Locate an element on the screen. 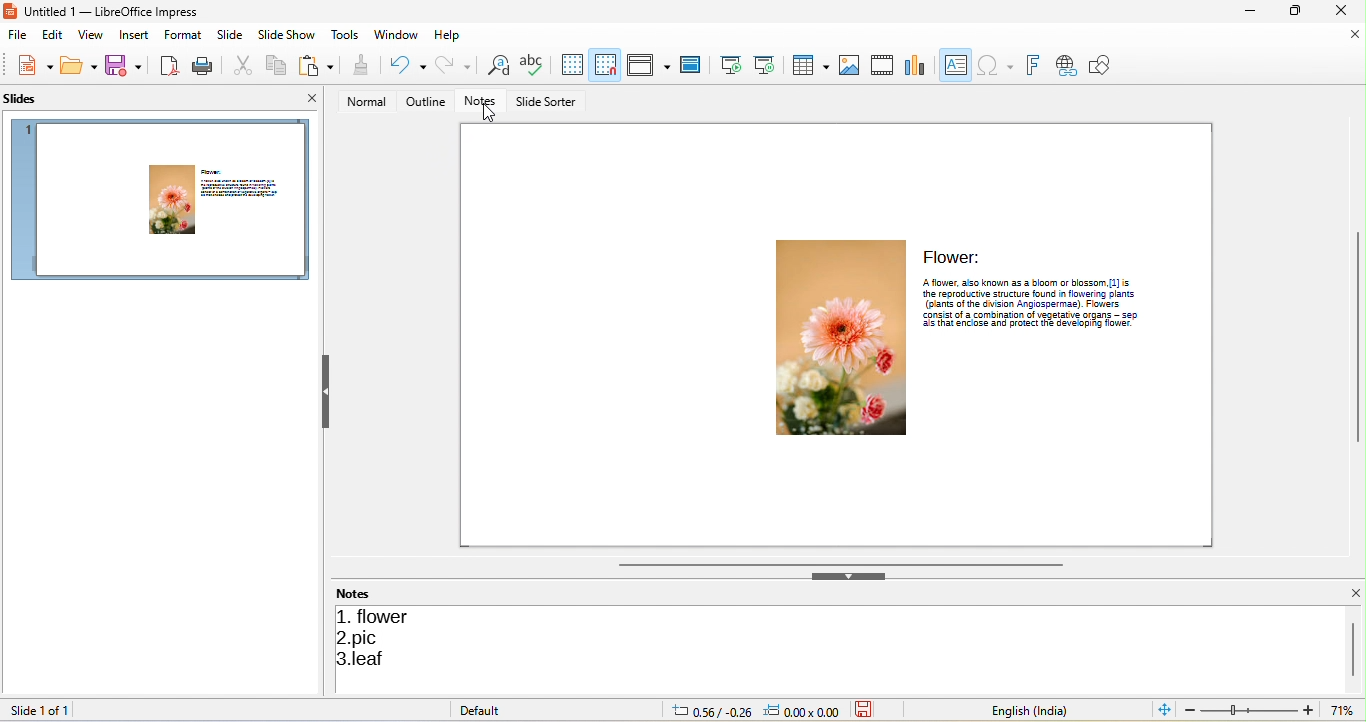  notes is located at coordinates (362, 593).